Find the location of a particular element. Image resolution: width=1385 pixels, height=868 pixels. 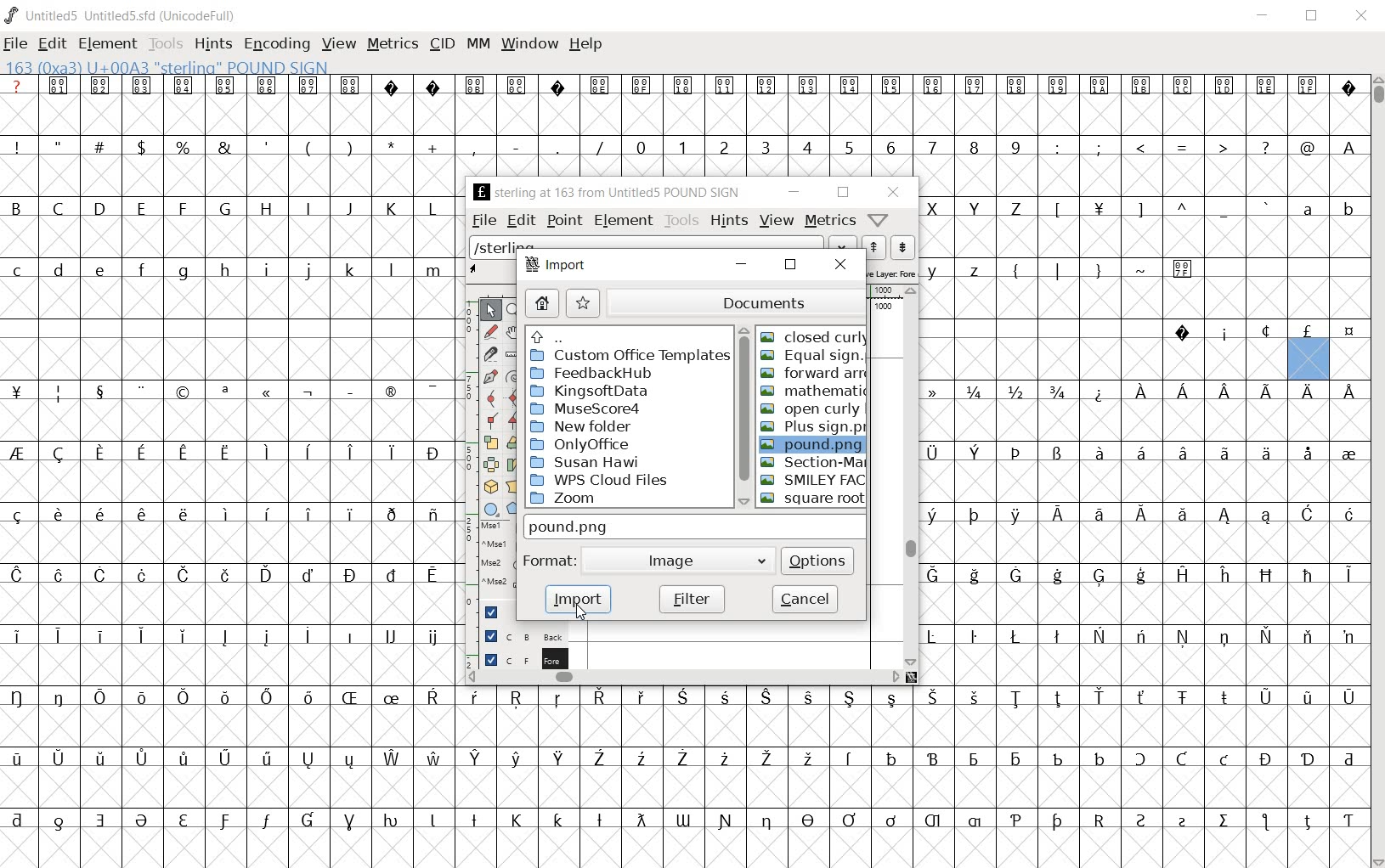

9 is located at coordinates (1015, 146).